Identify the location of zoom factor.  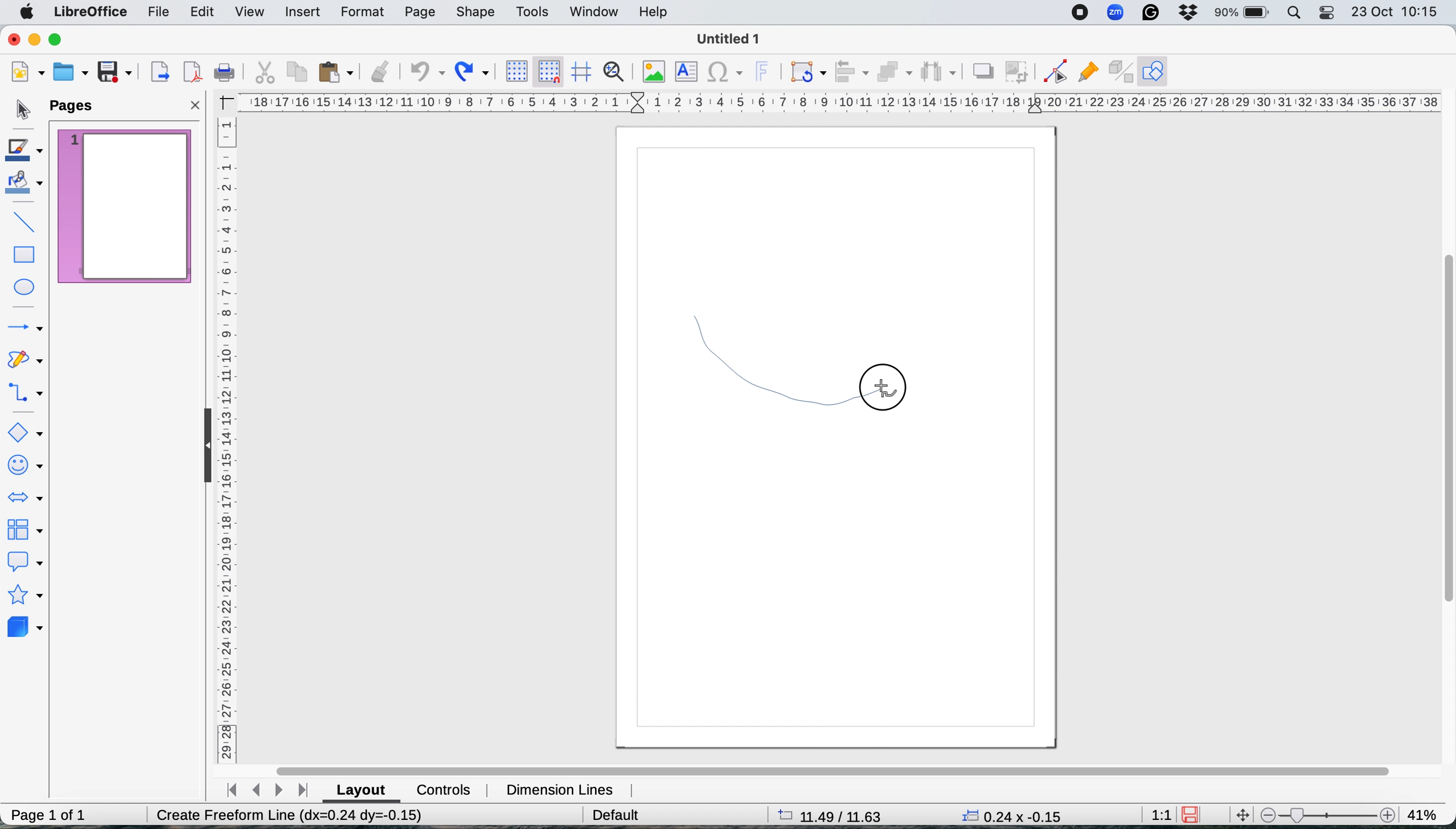
(1427, 812).